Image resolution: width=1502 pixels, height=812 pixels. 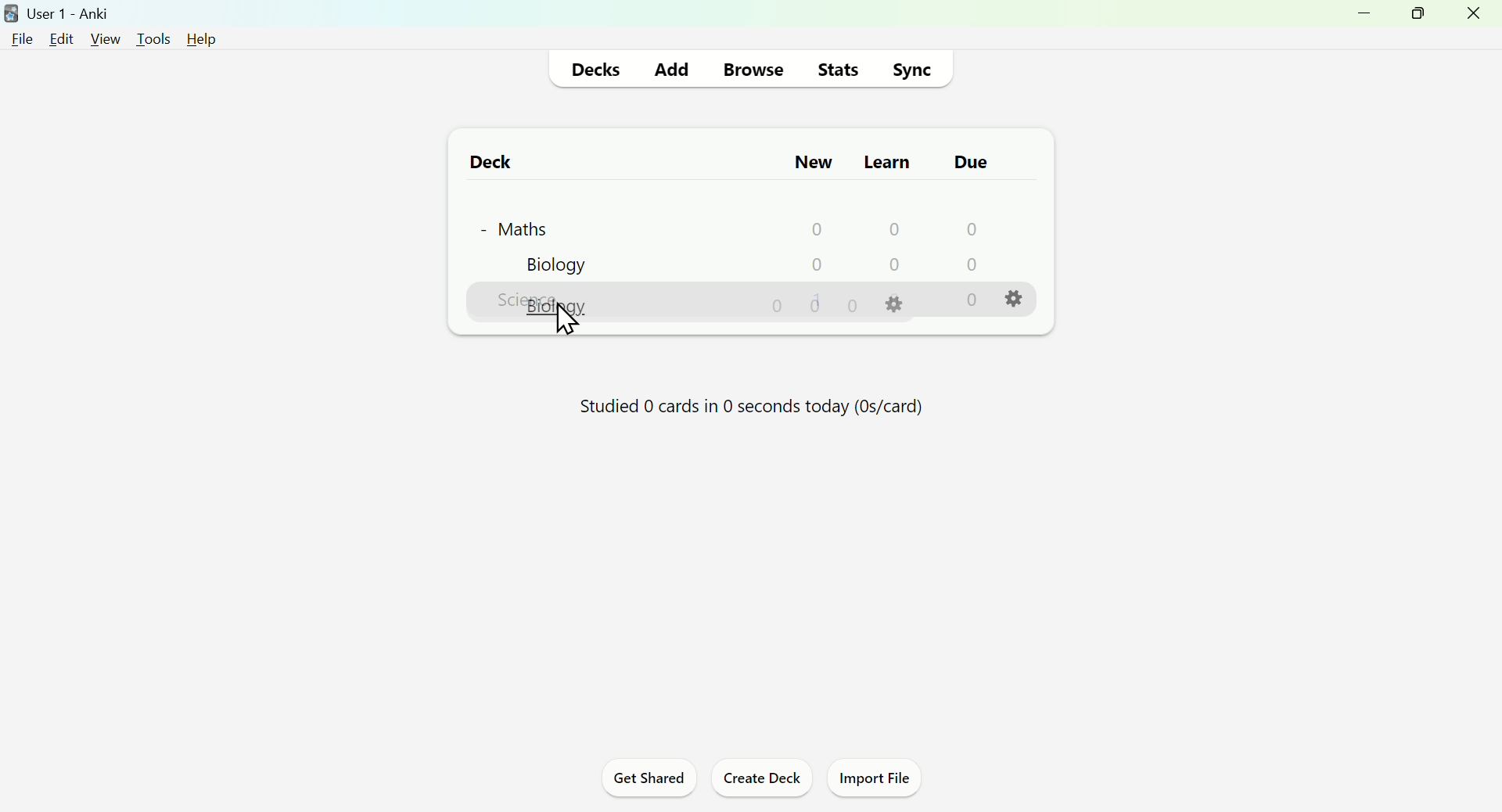 I want to click on Import File, so click(x=881, y=781).